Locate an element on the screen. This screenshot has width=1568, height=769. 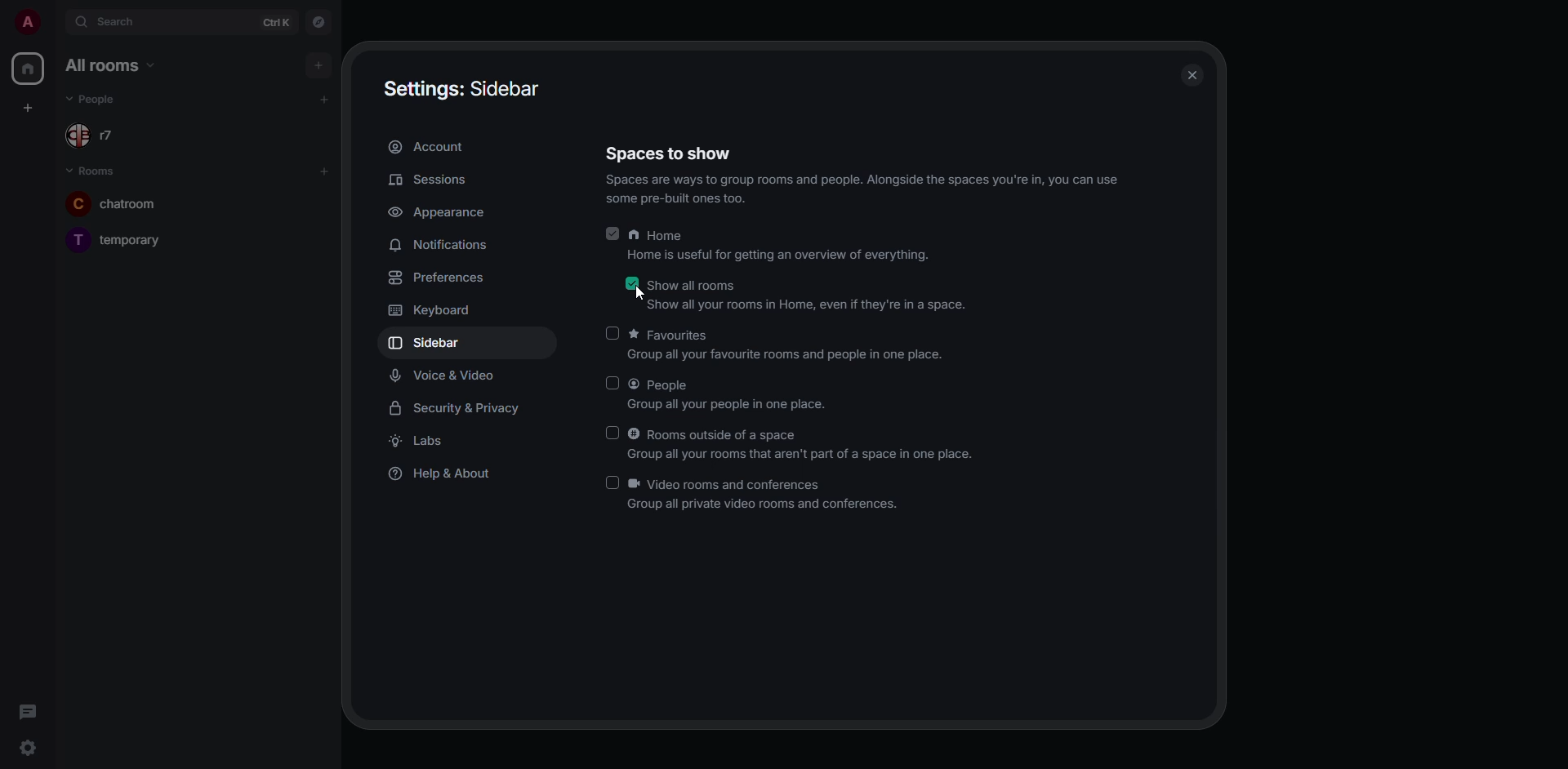
home is located at coordinates (28, 68).